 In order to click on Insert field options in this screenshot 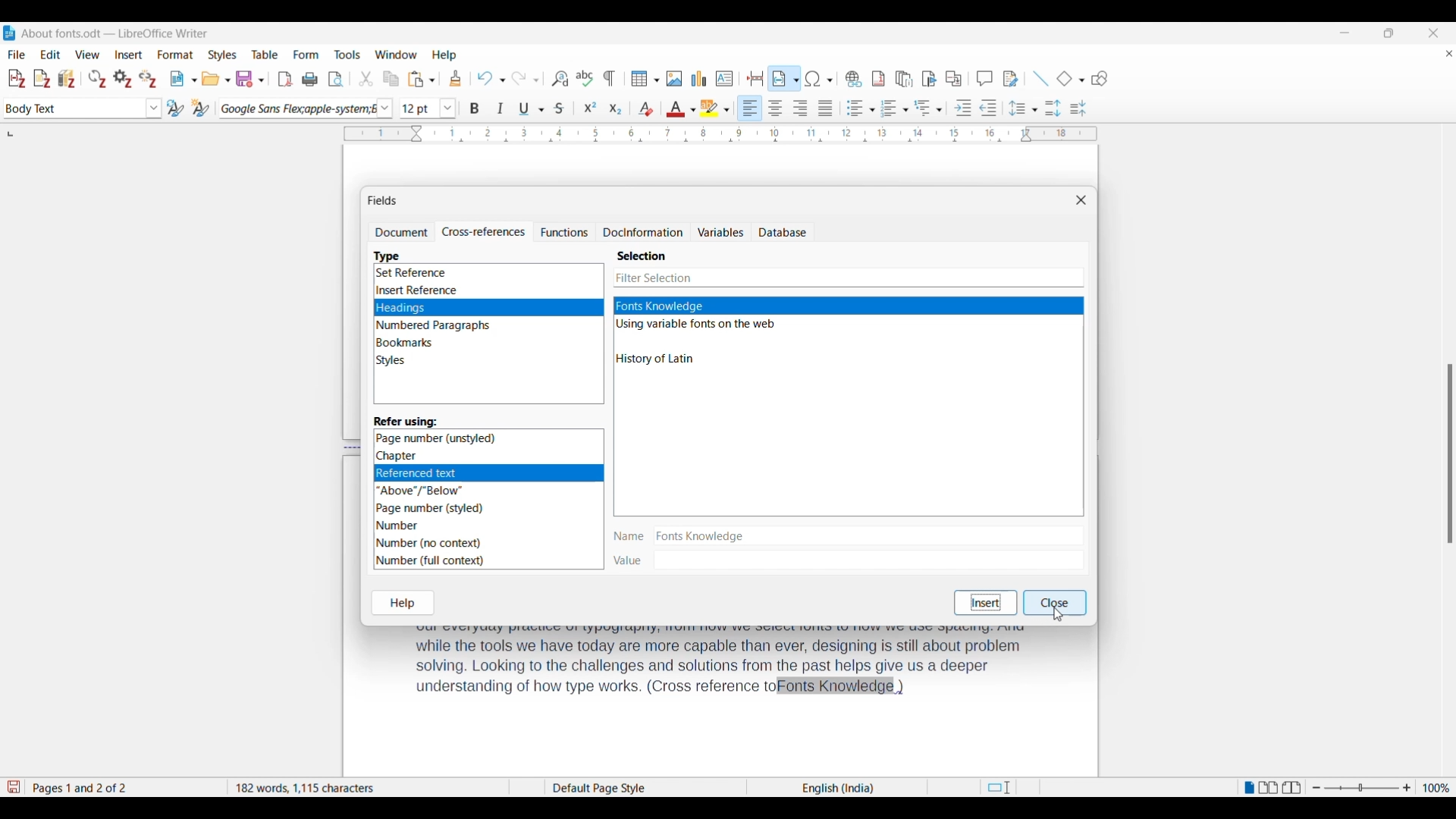, I will do `click(786, 78)`.